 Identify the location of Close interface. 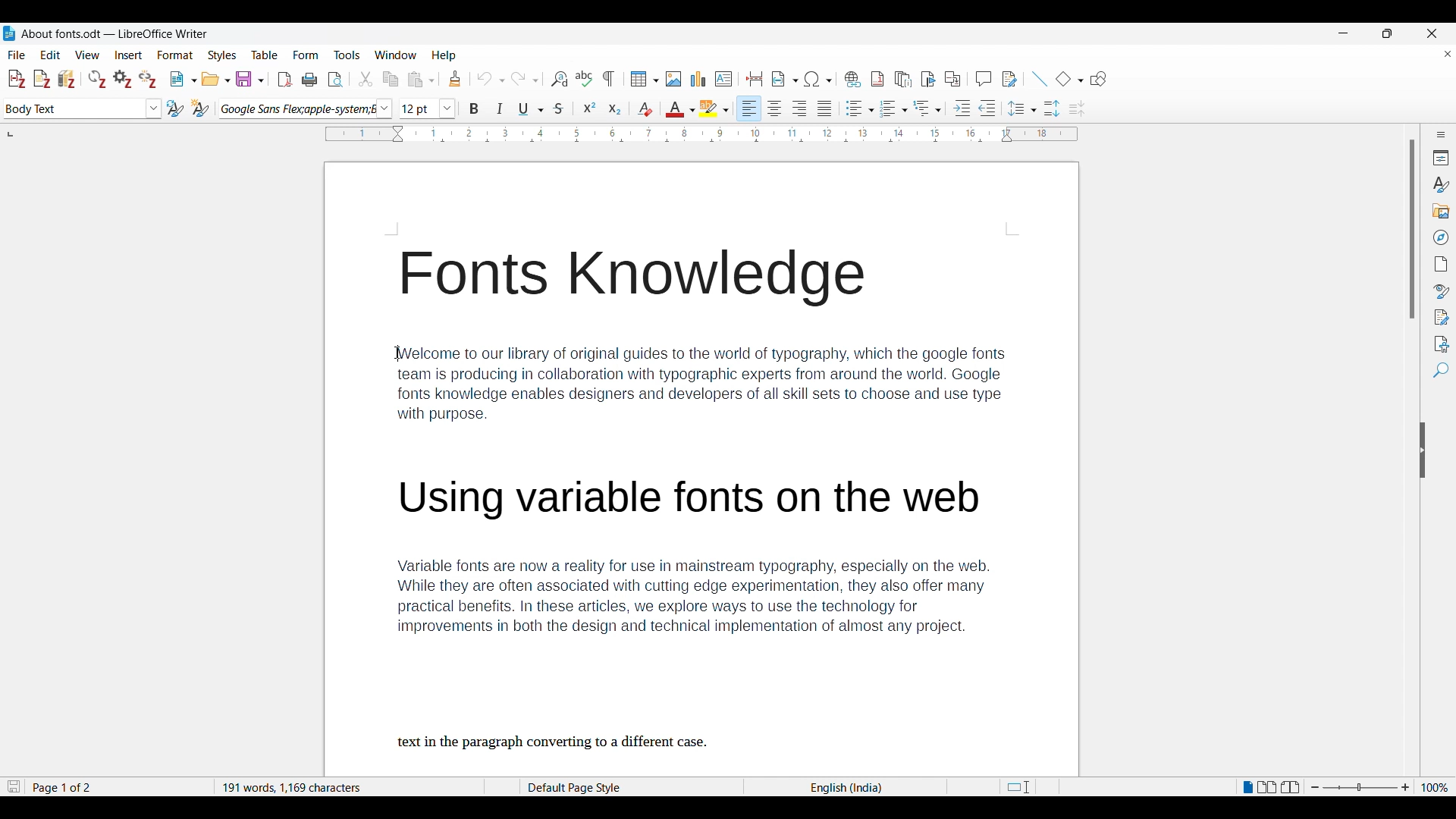
(1432, 33).